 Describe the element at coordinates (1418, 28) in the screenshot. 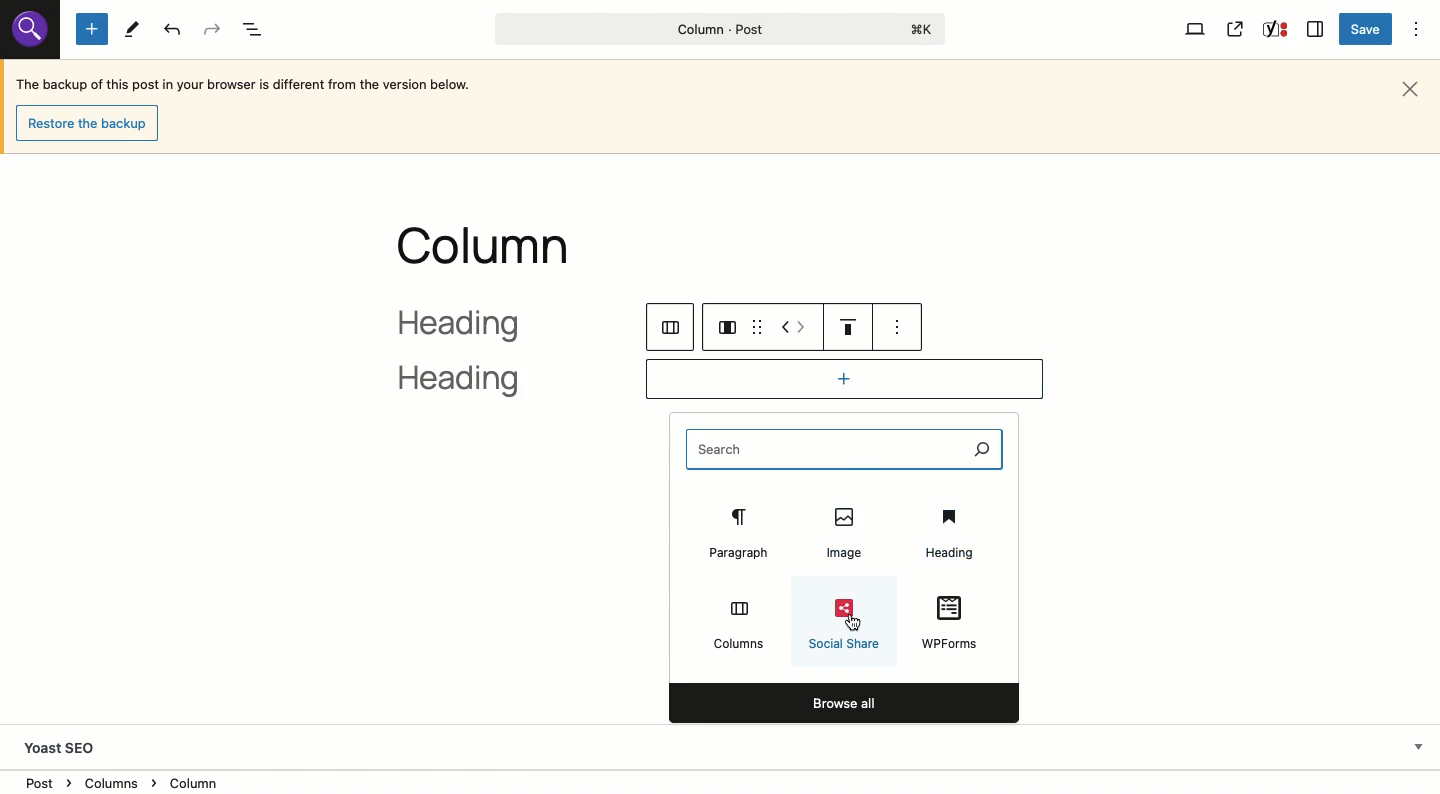

I see `Options` at that location.